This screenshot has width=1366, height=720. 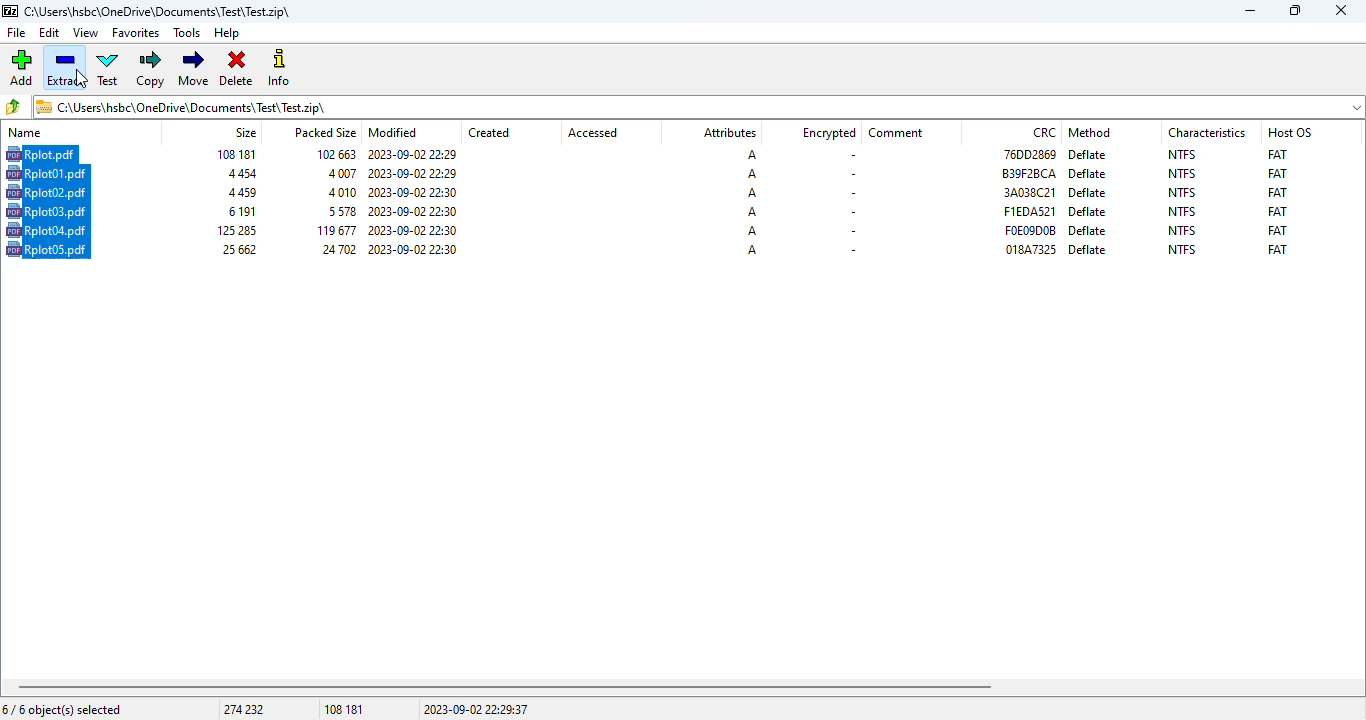 What do you see at coordinates (1181, 249) in the screenshot?
I see `NTFS` at bounding box center [1181, 249].